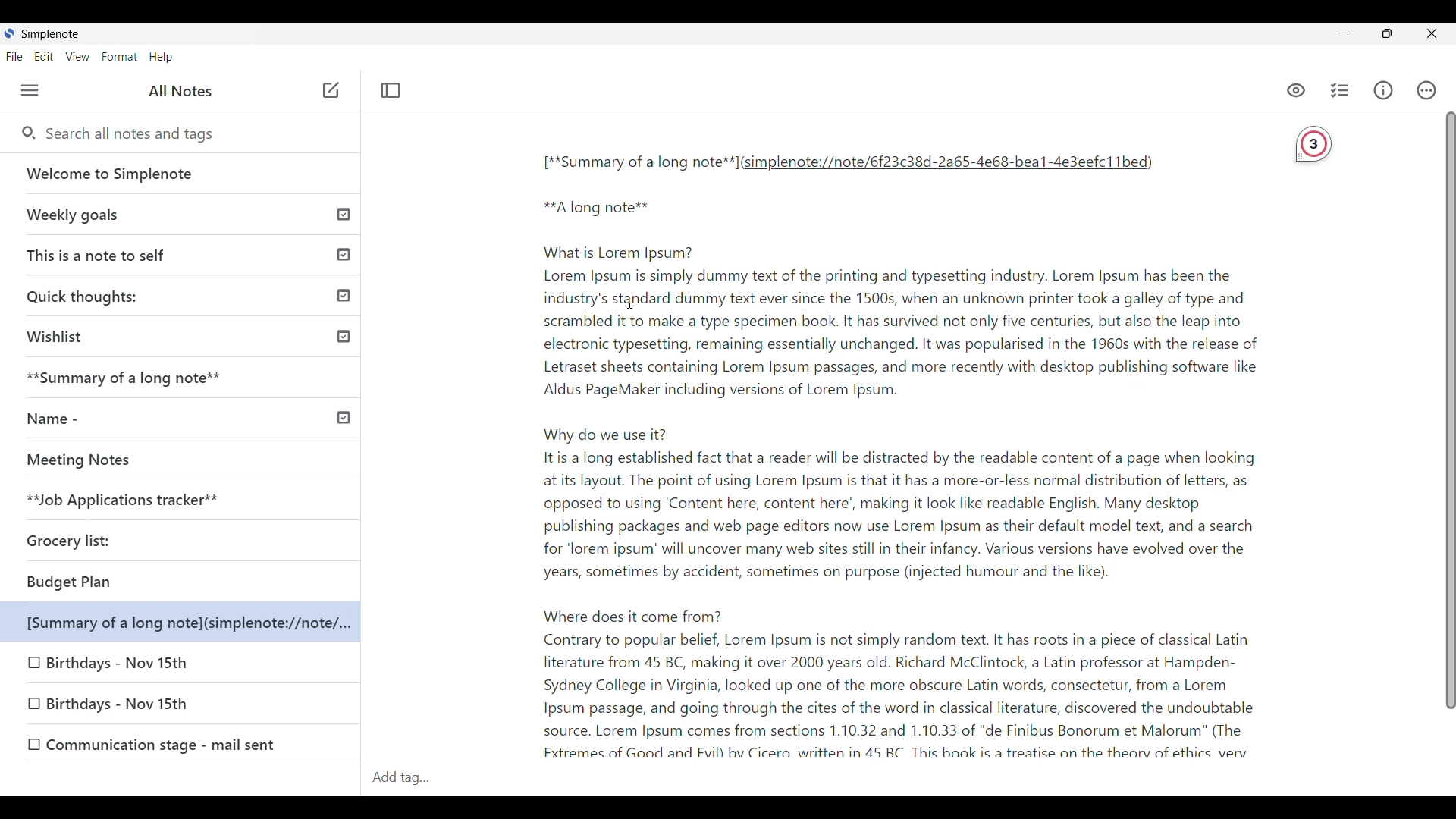 The height and width of the screenshot is (819, 1456). I want to click on Add note, so click(329, 91).